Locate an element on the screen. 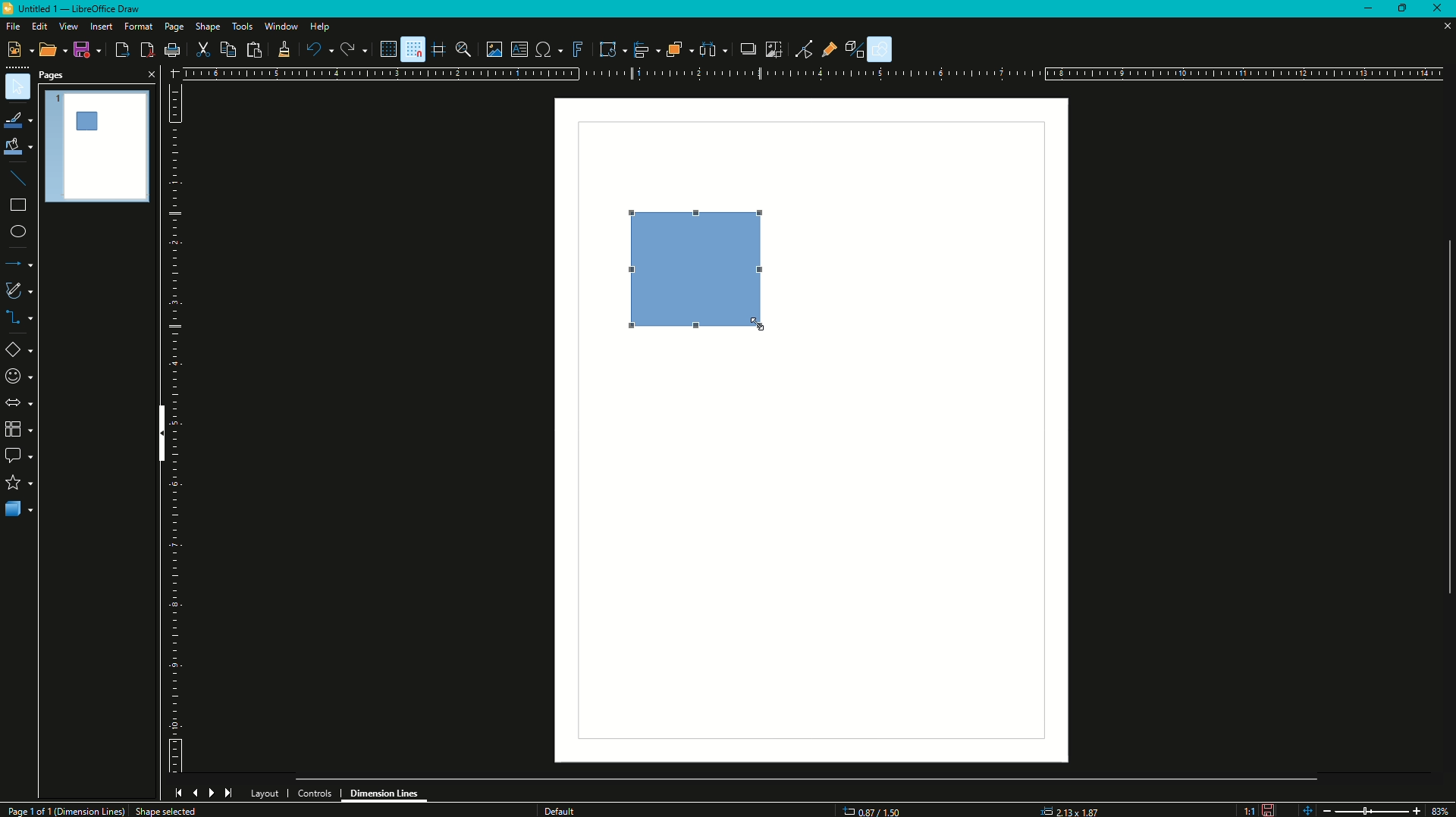  Stars and Banners is located at coordinates (19, 484).